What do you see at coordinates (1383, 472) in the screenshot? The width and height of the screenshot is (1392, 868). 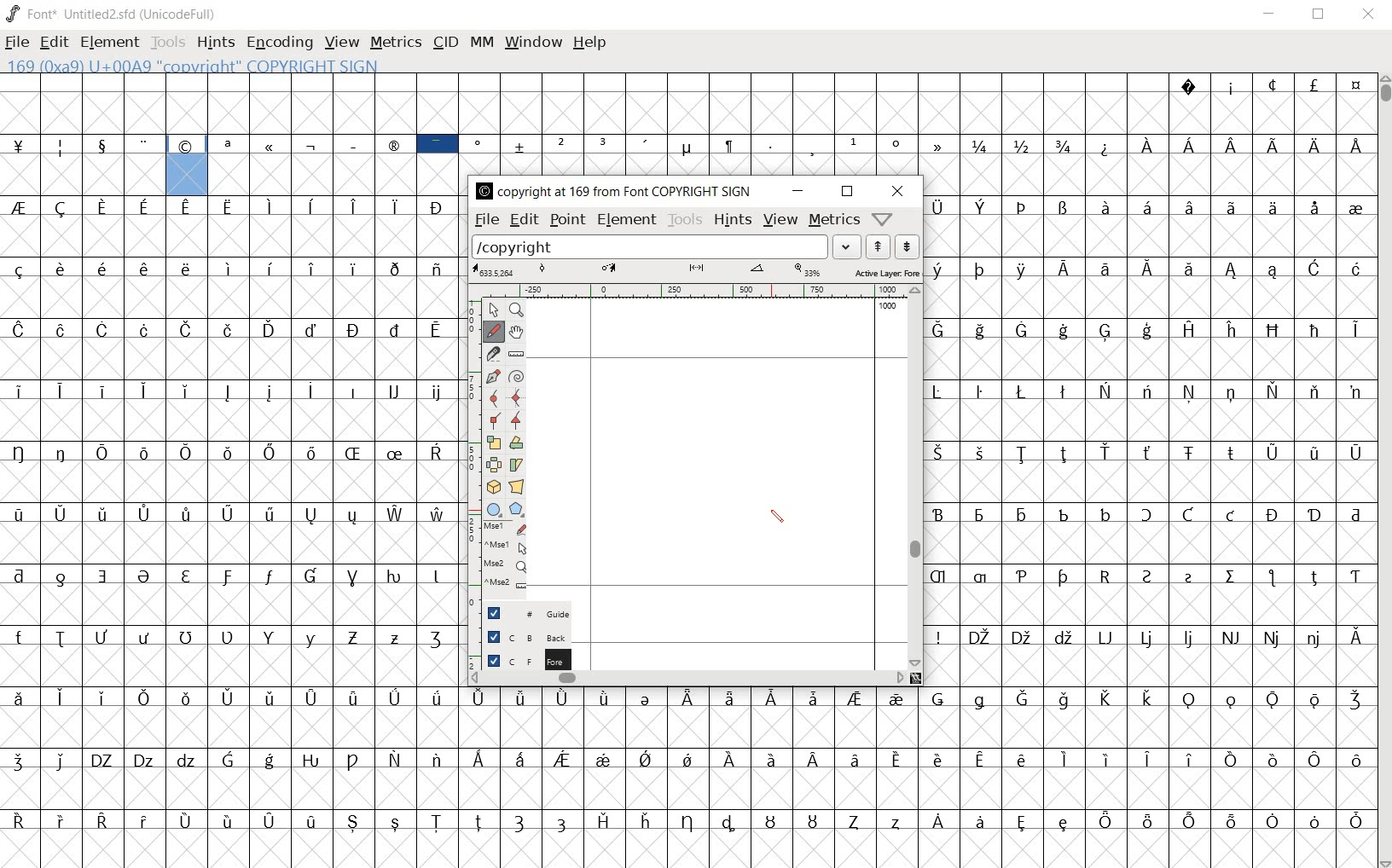 I see `scrollbar` at bounding box center [1383, 472].